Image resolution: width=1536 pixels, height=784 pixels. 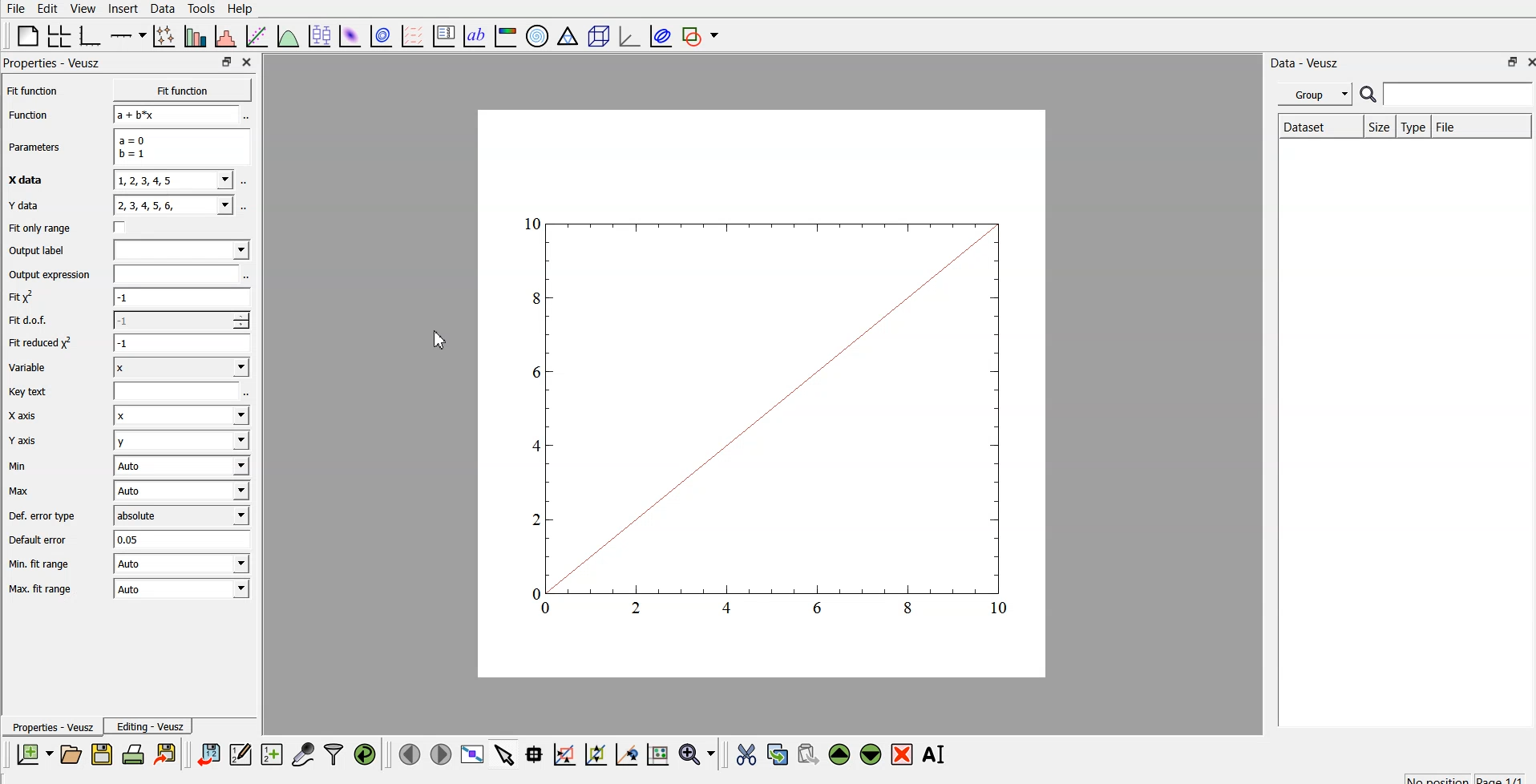 What do you see at coordinates (49, 228) in the screenshot?
I see `Fit only range` at bounding box center [49, 228].